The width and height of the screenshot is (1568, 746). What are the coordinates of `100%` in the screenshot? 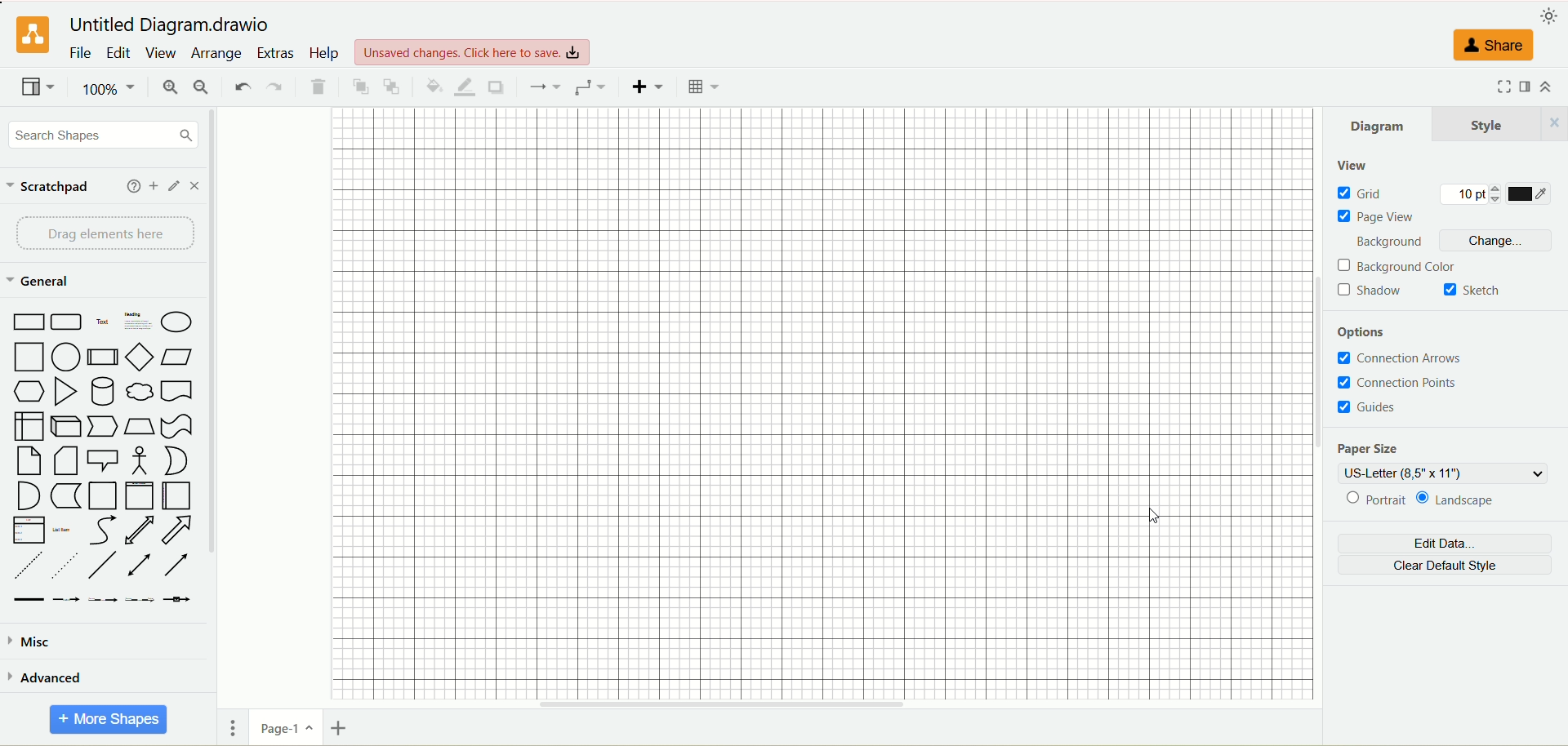 It's located at (109, 87).